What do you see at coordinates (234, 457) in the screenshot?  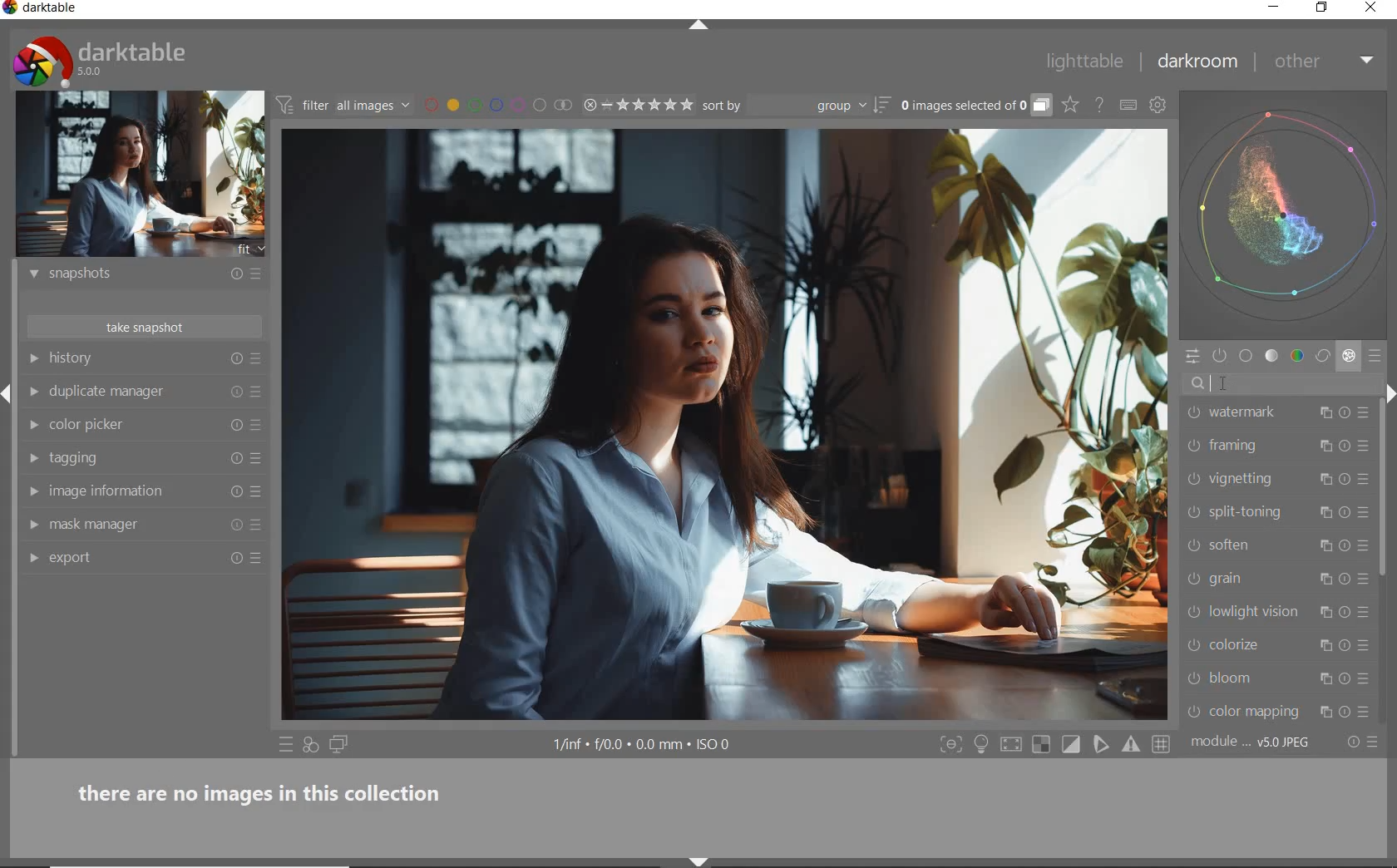 I see `reset` at bounding box center [234, 457].